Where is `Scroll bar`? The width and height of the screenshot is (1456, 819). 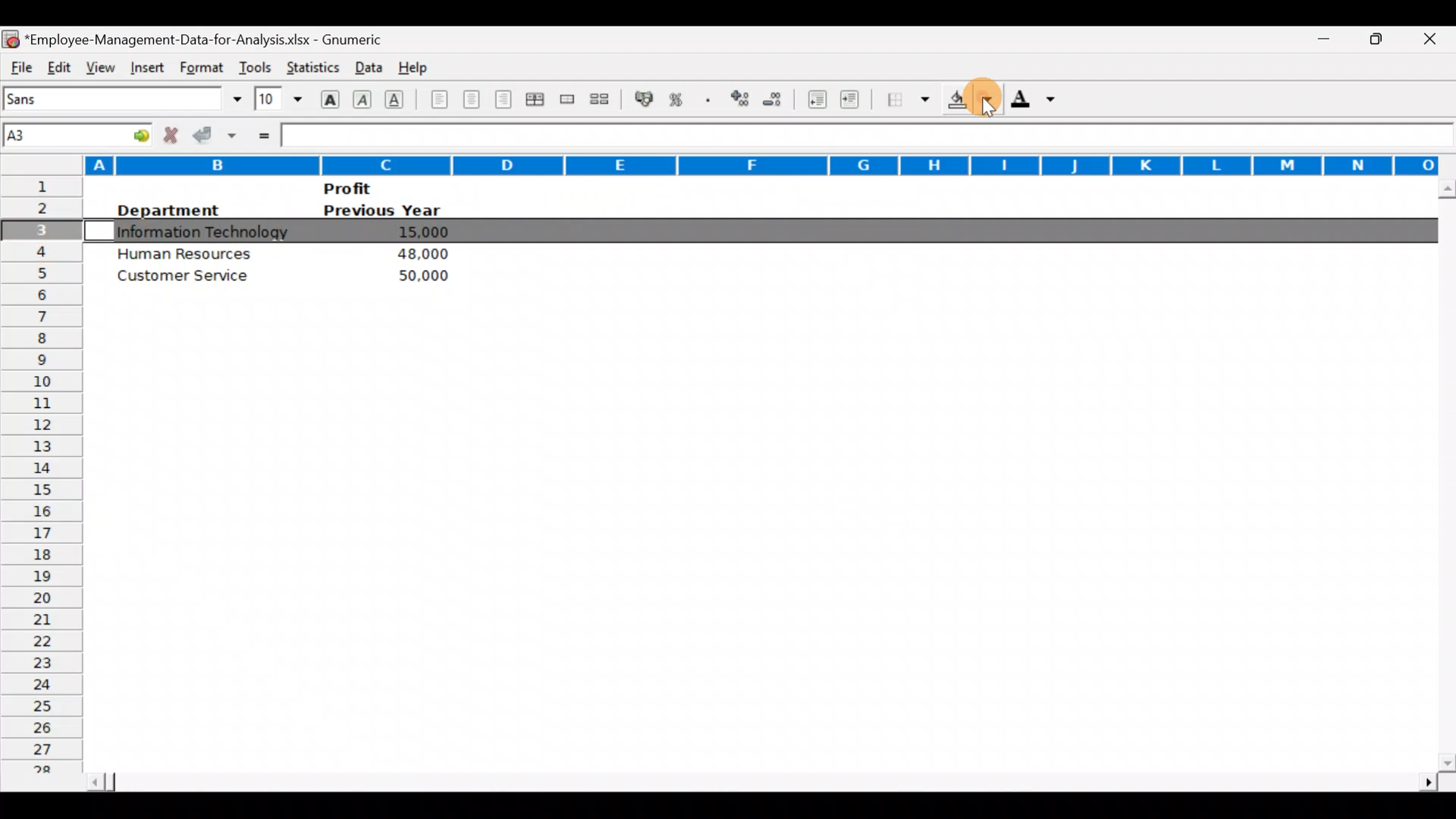
Scroll bar is located at coordinates (1443, 475).